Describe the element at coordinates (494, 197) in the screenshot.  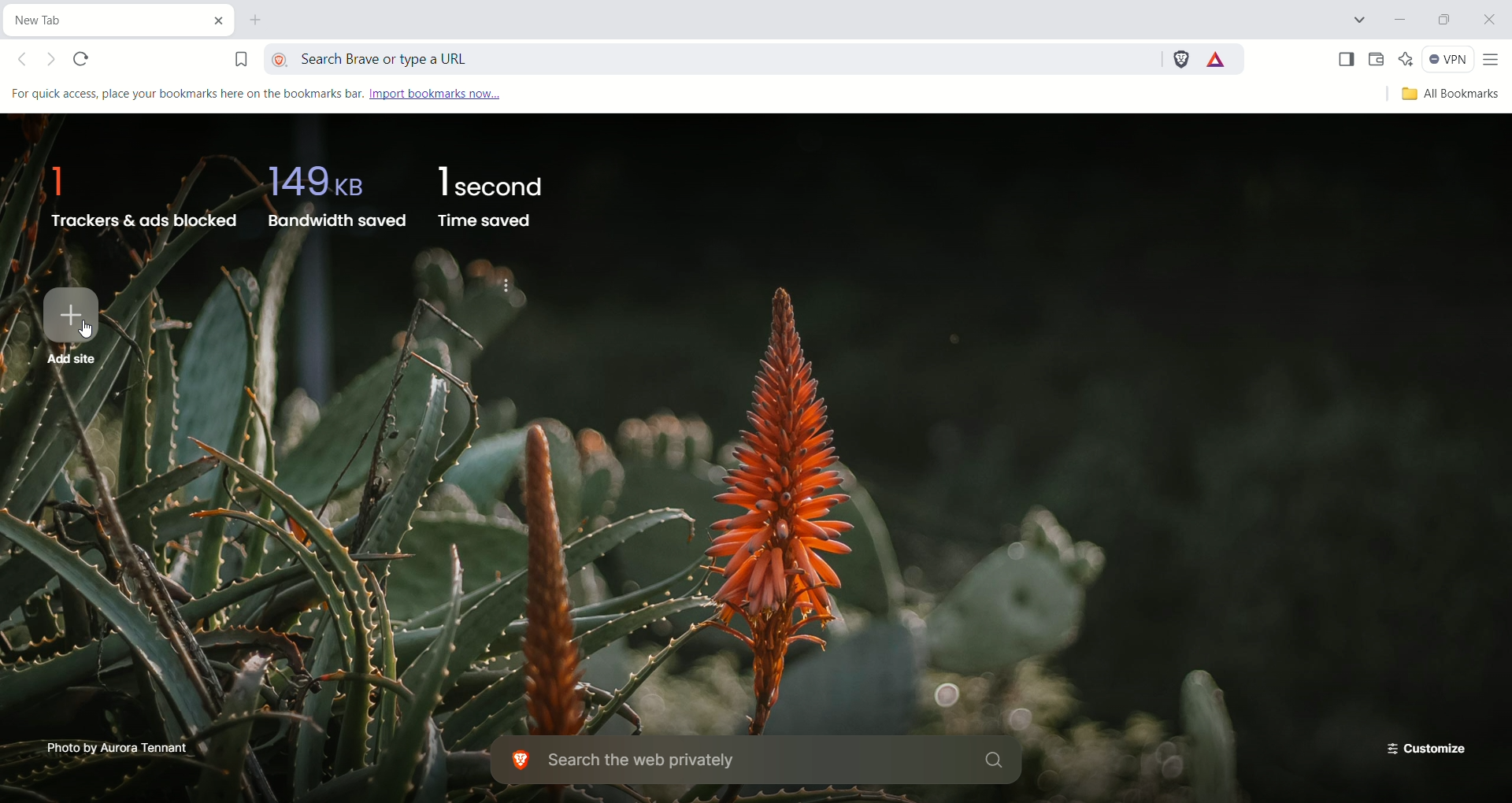
I see `time saved` at that location.